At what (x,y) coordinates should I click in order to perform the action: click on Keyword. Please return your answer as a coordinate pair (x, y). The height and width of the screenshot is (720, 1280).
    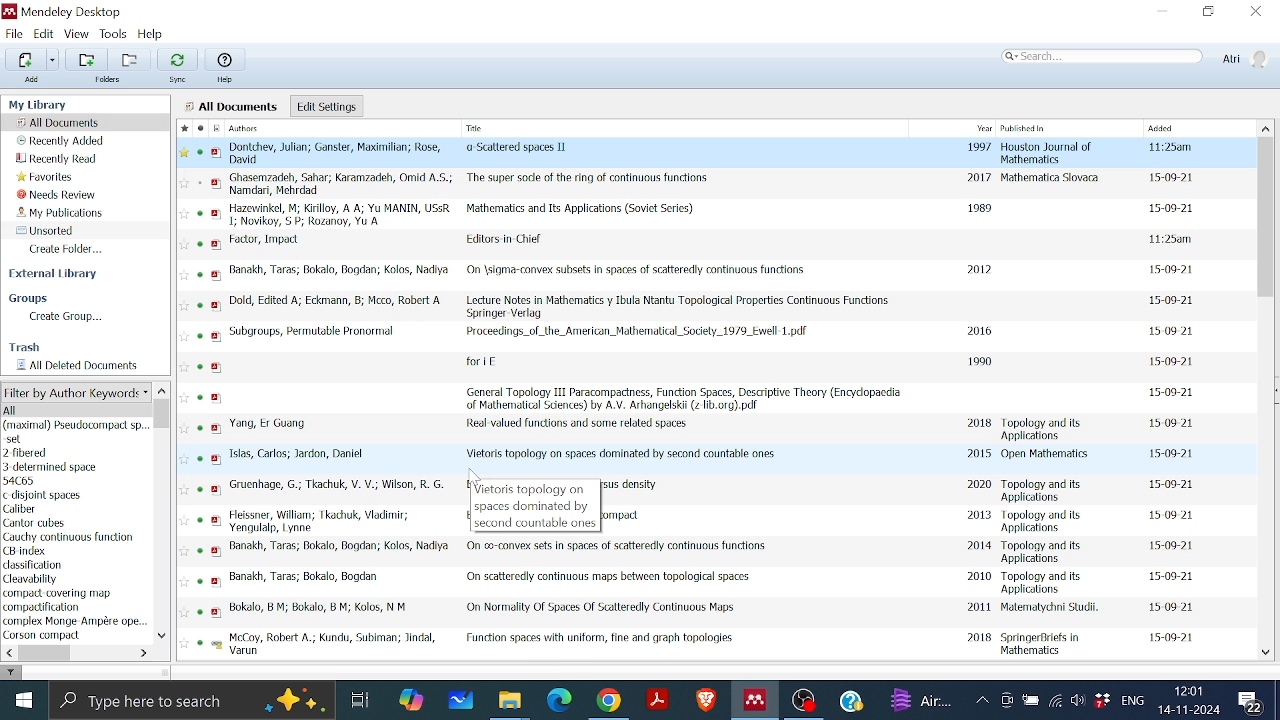
    Looking at the image, I should click on (70, 623).